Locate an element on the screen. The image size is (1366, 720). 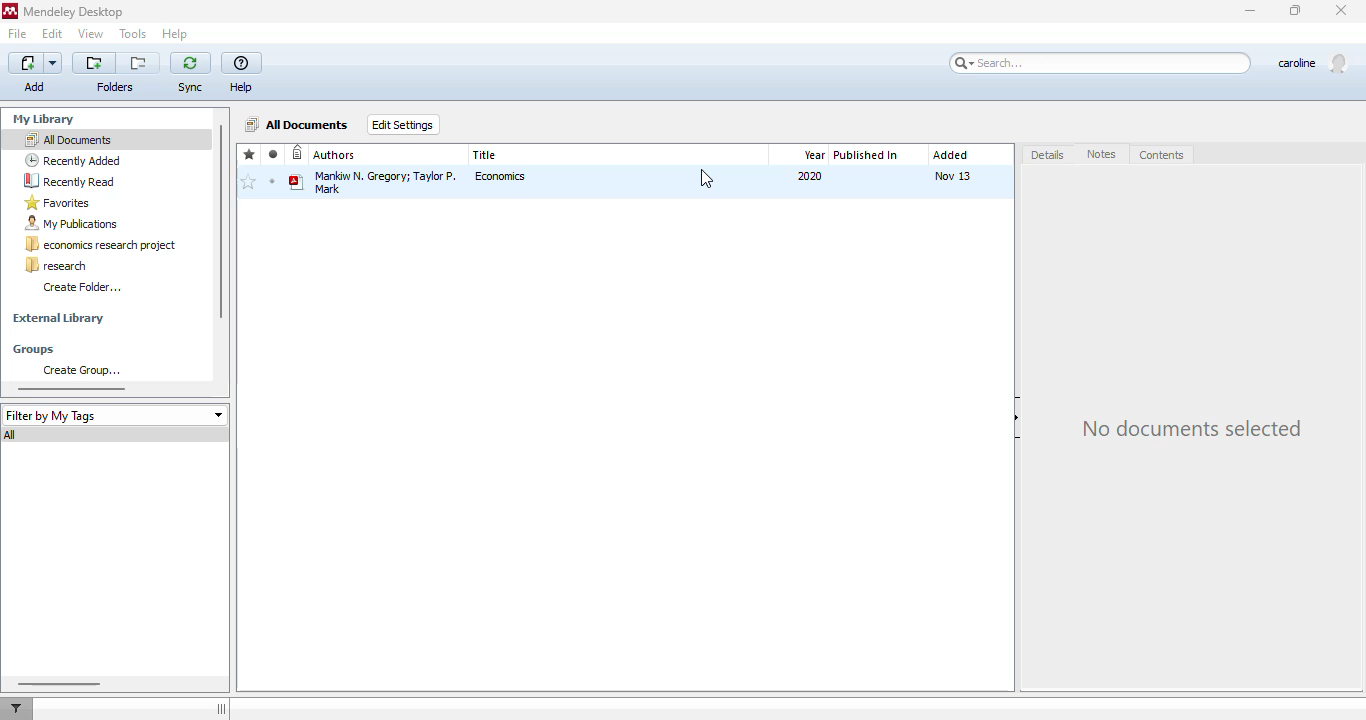
tools is located at coordinates (133, 35).